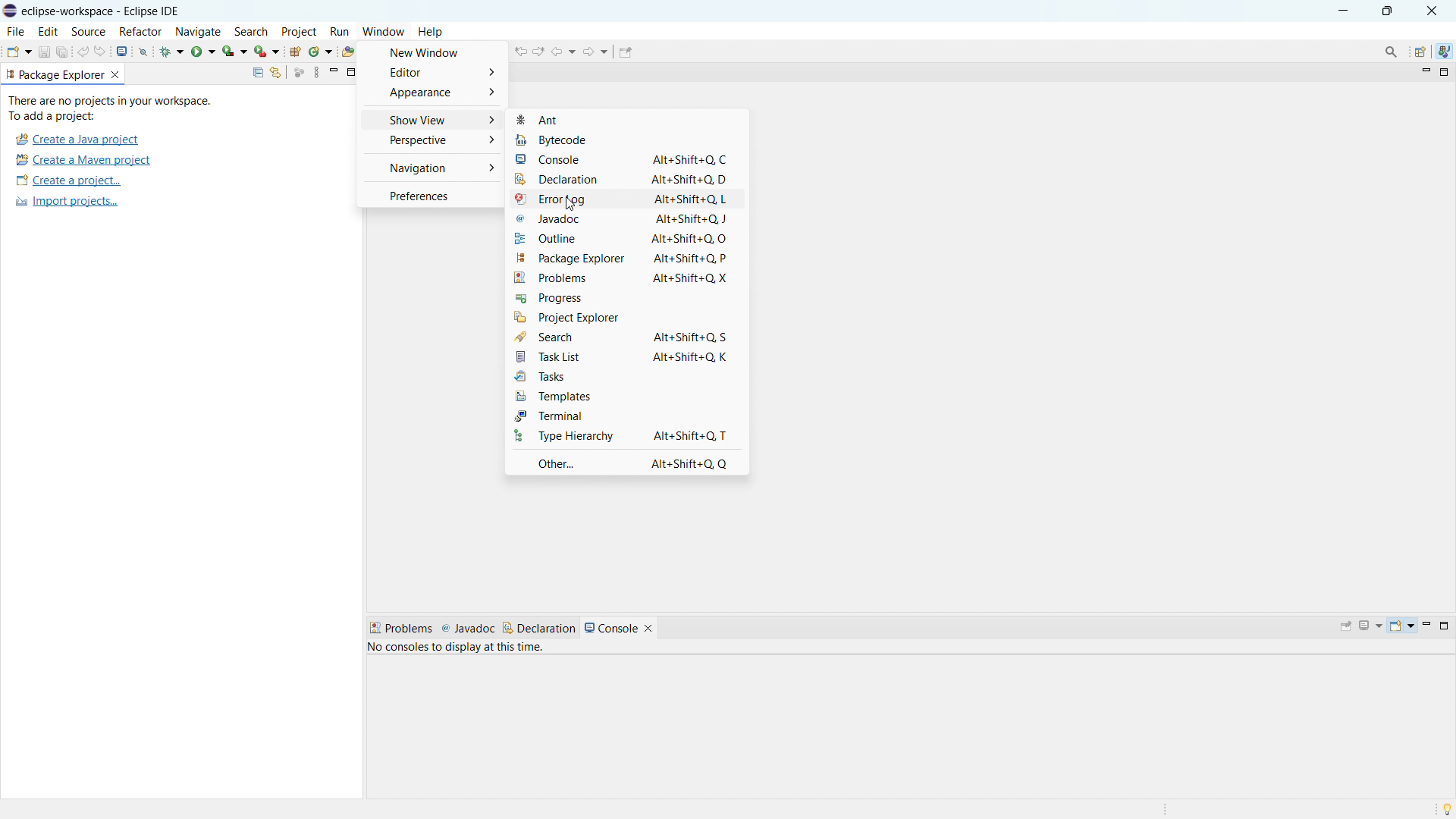 The height and width of the screenshot is (819, 1456). Describe the element at coordinates (1419, 52) in the screenshot. I see `open perspective` at that location.